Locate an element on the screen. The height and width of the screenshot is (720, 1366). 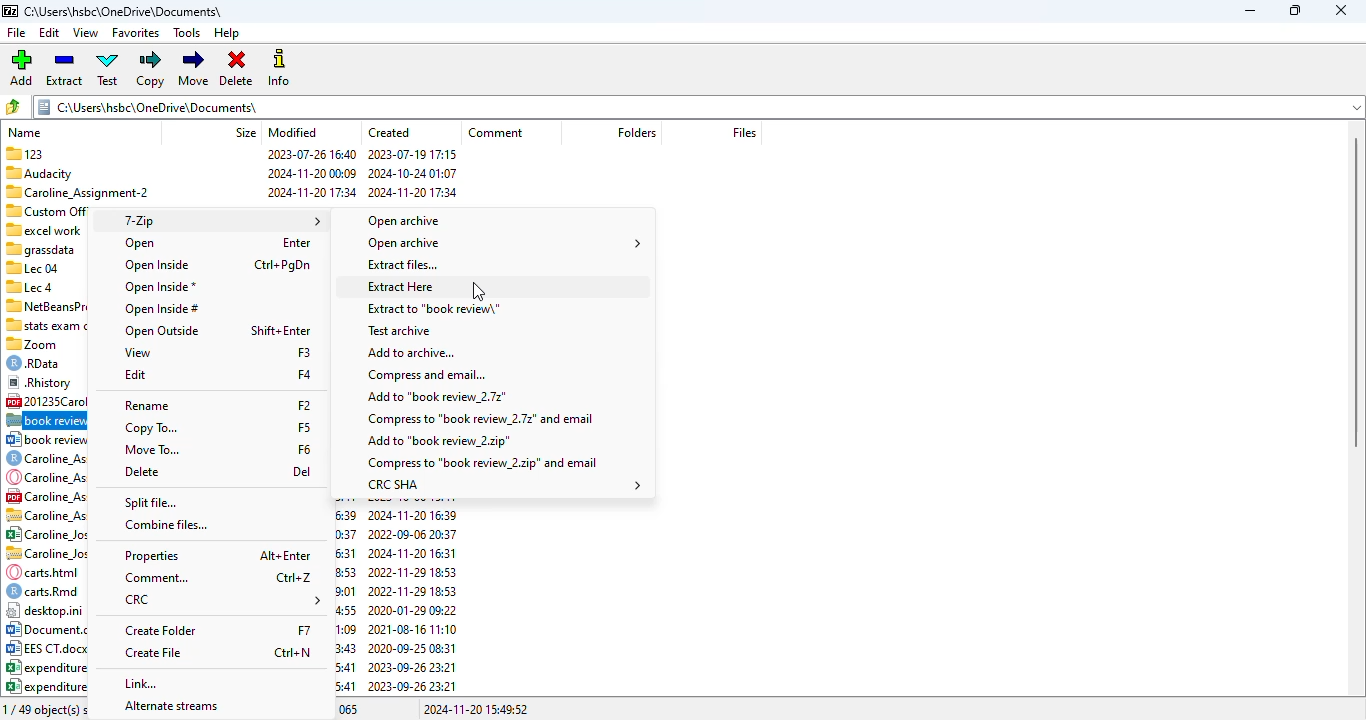
link is located at coordinates (144, 684).